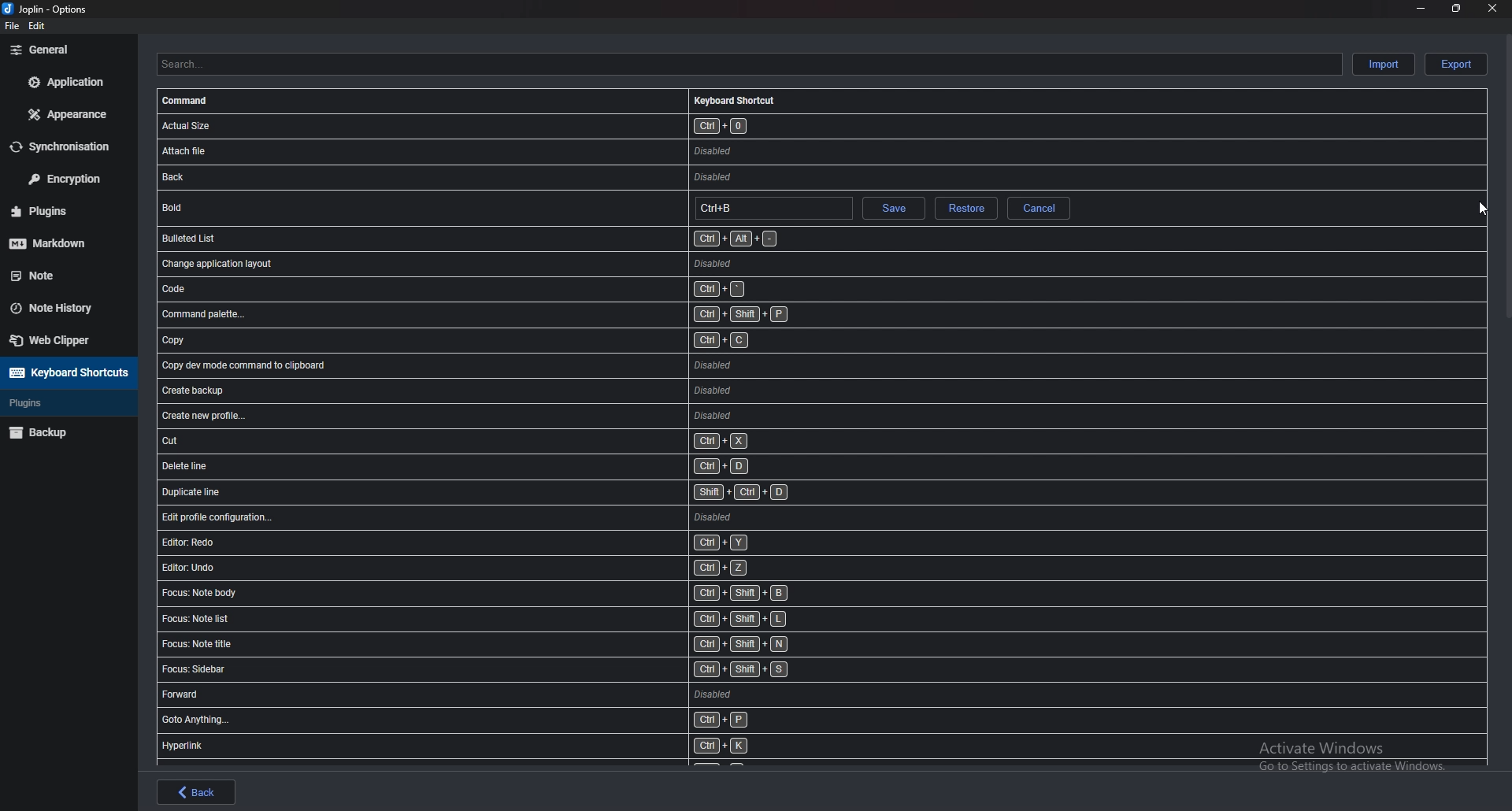 The image size is (1512, 811). I want to click on close, so click(1493, 7).